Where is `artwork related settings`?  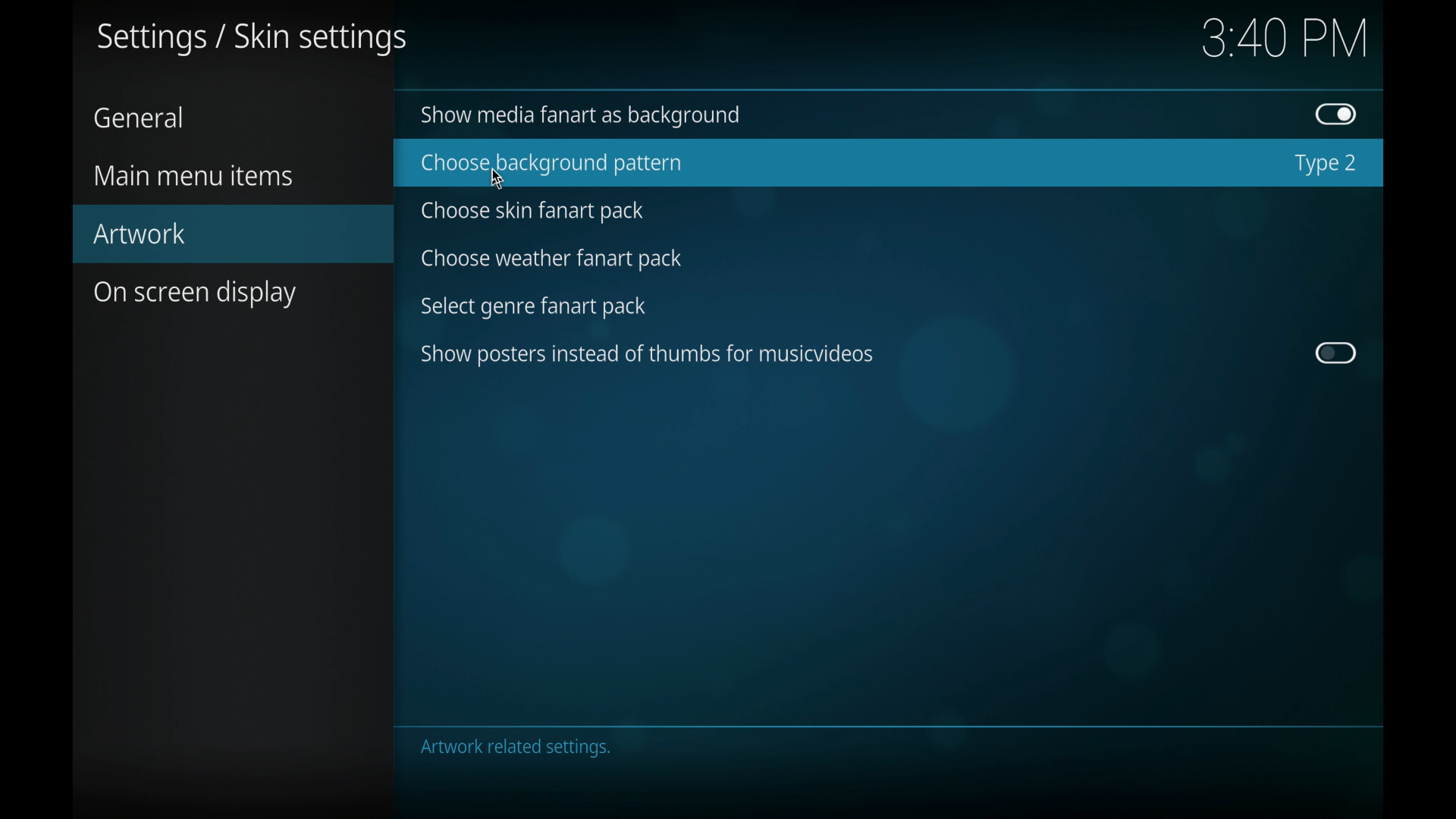 artwork related settings is located at coordinates (515, 748).